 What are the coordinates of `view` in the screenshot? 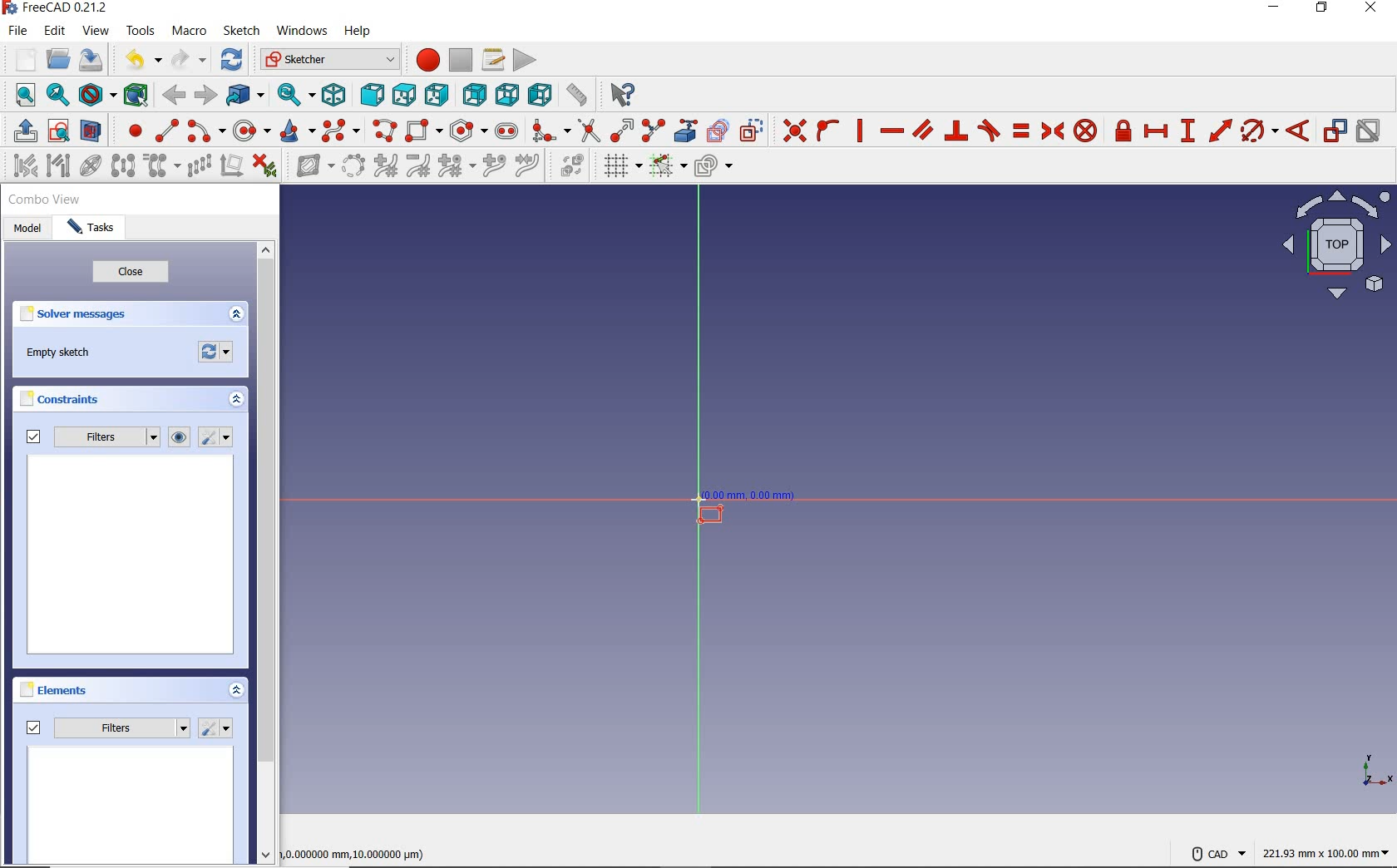 It's located at (96, 31).